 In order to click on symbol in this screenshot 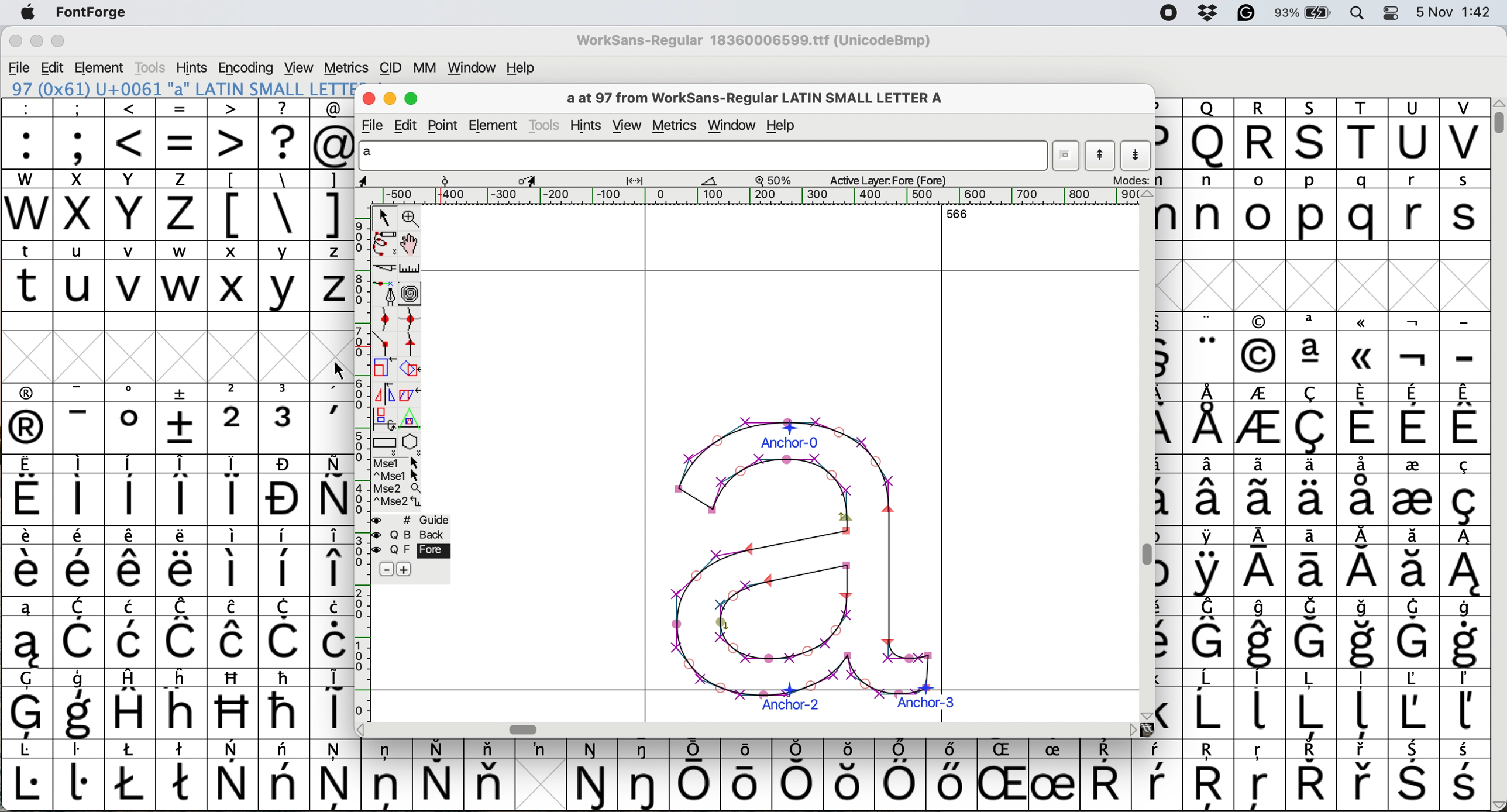, I will do `click(1156, 776)`.